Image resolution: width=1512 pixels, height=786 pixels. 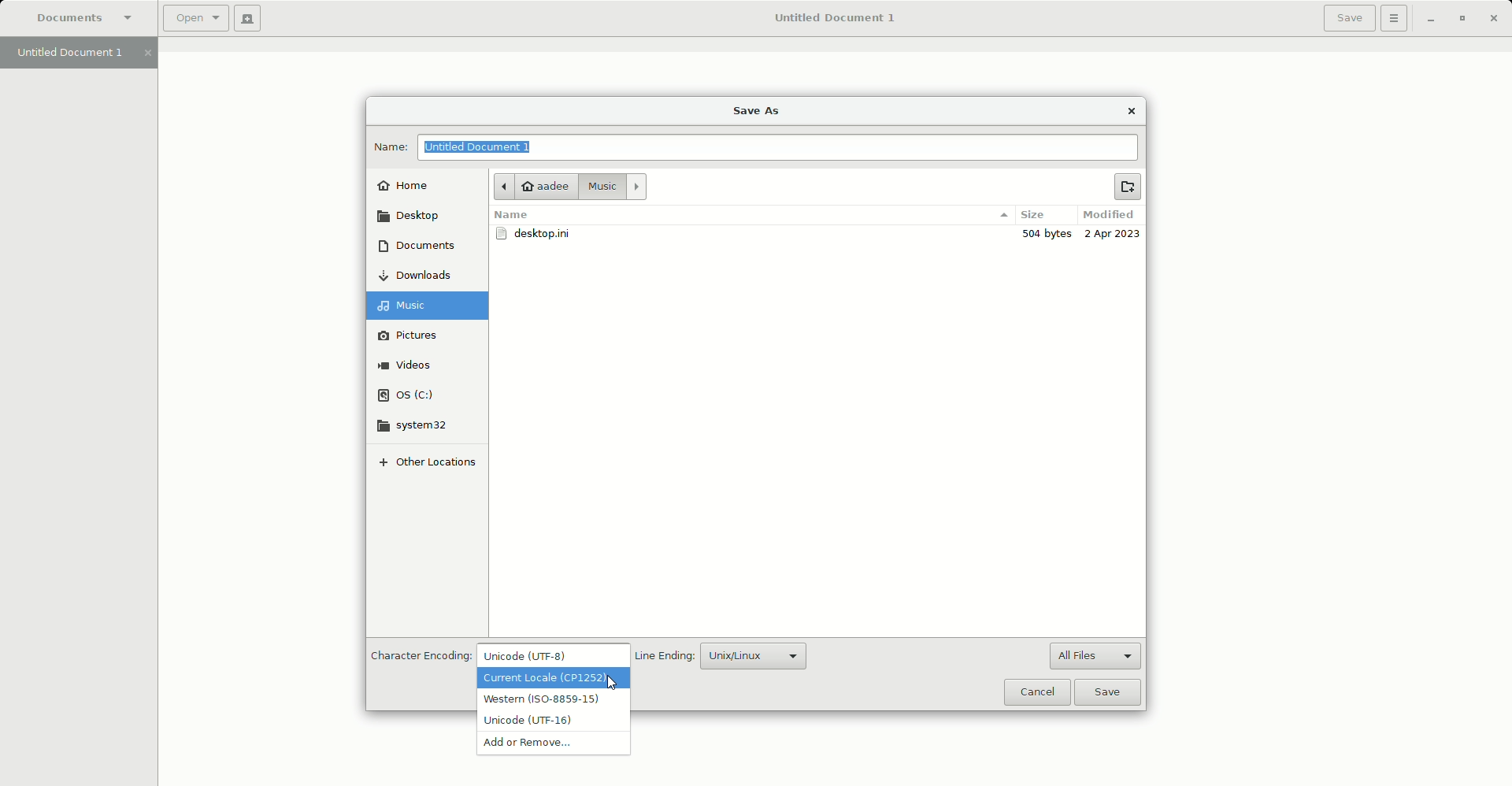 What do you see at coordinates (191, 18) in the screenshot?
I see `Open` at bounding box center [191, 18].